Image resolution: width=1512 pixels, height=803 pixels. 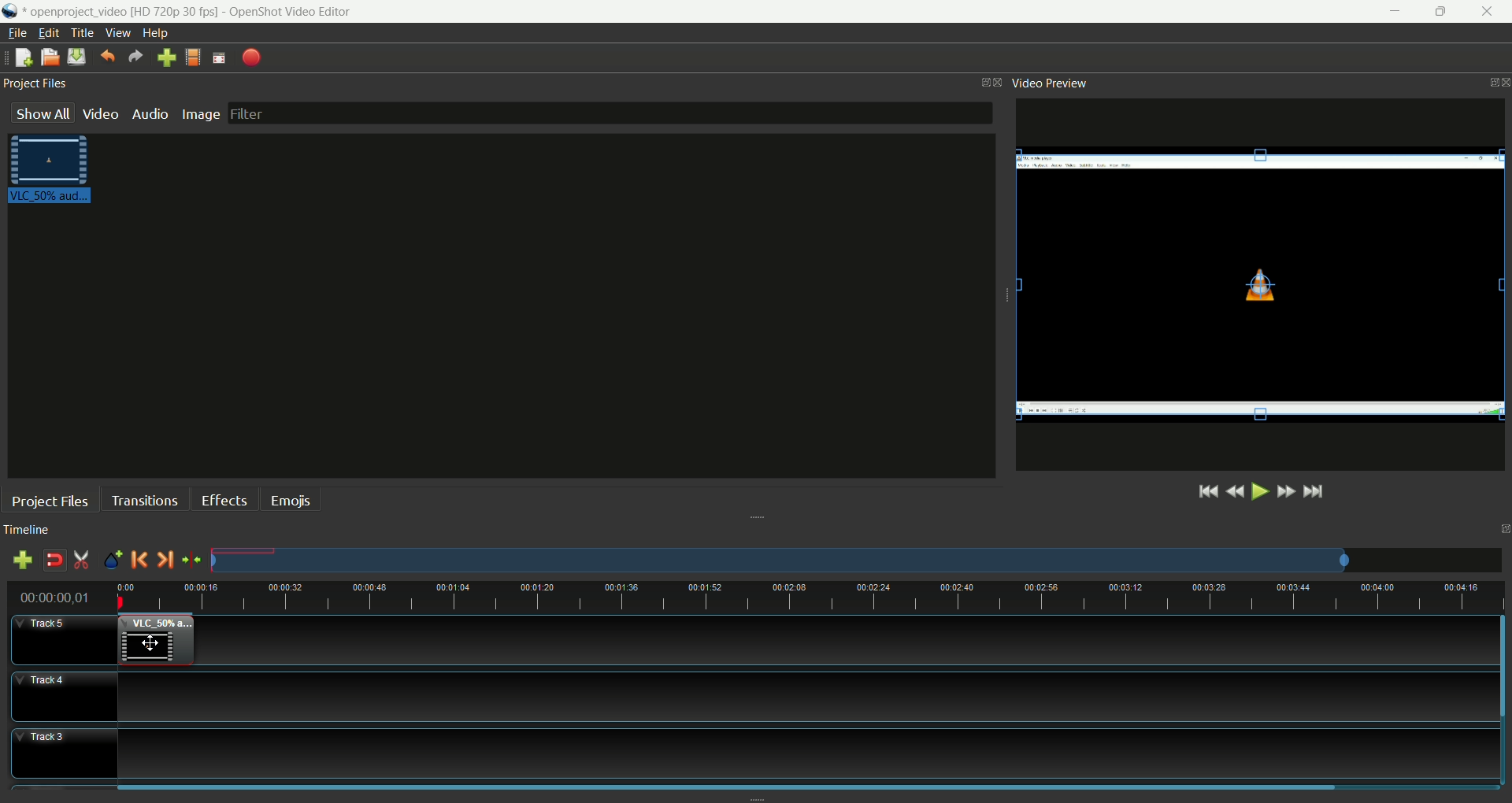 I want to click on choose profile, so click(x=193, y=58).